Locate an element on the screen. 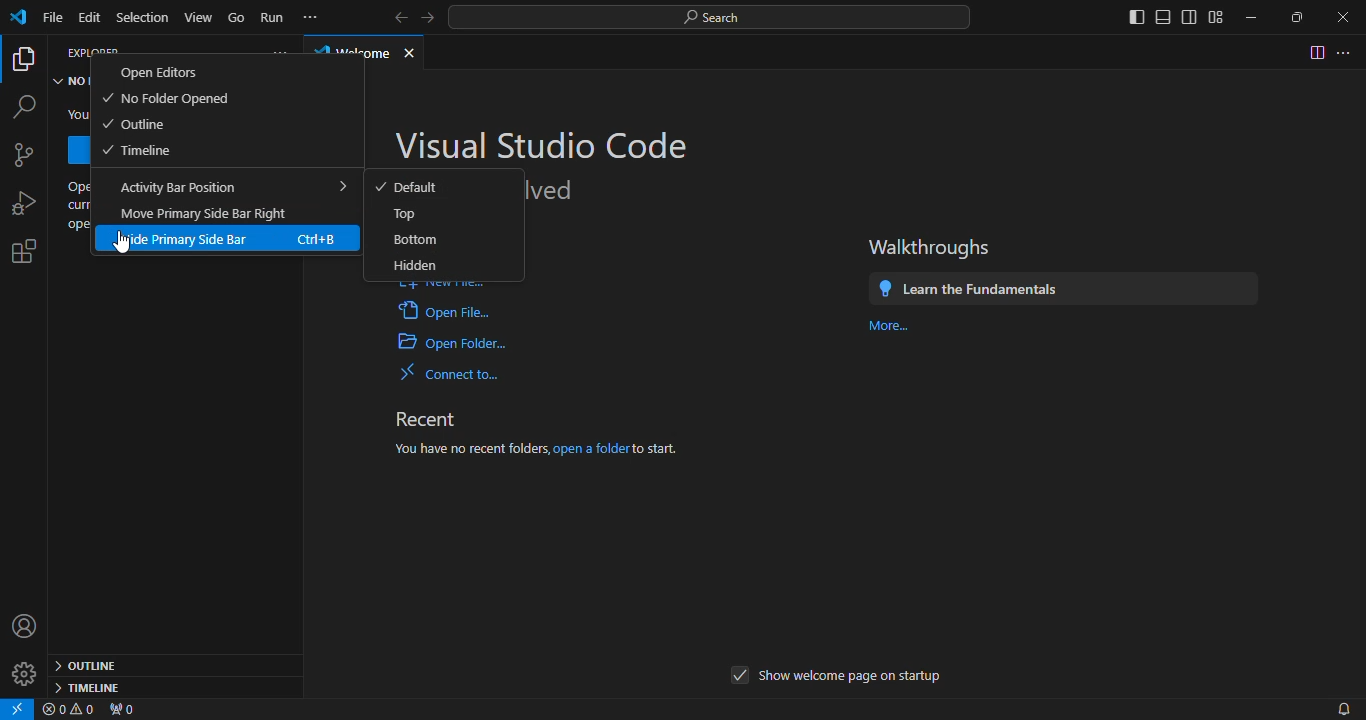  logo is located at coordinates (18, 19).